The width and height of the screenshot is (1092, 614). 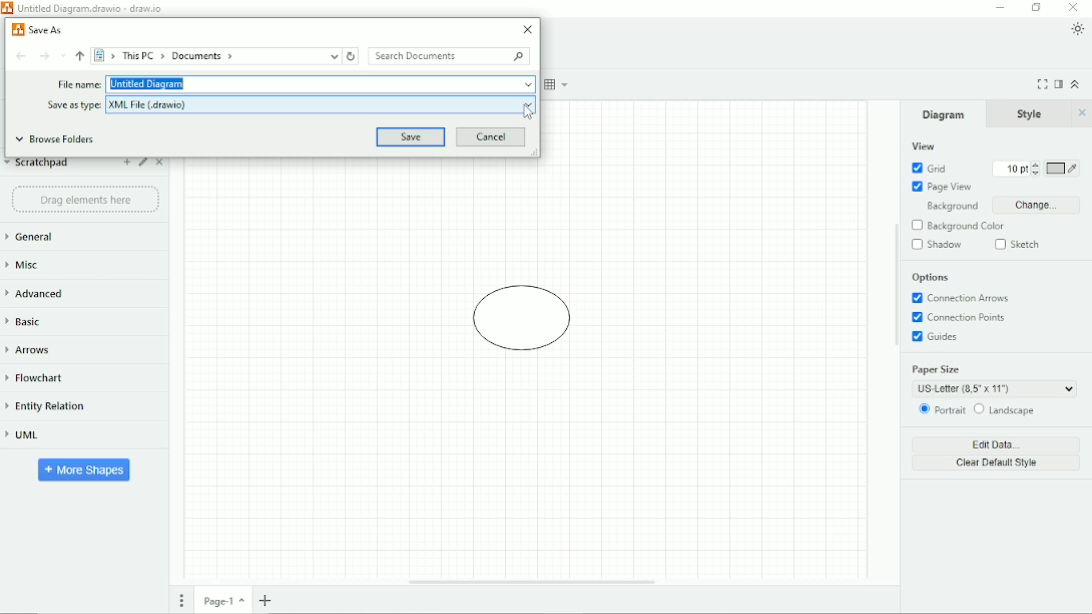 I want to click on Insert page, so click(x=265, y=600).